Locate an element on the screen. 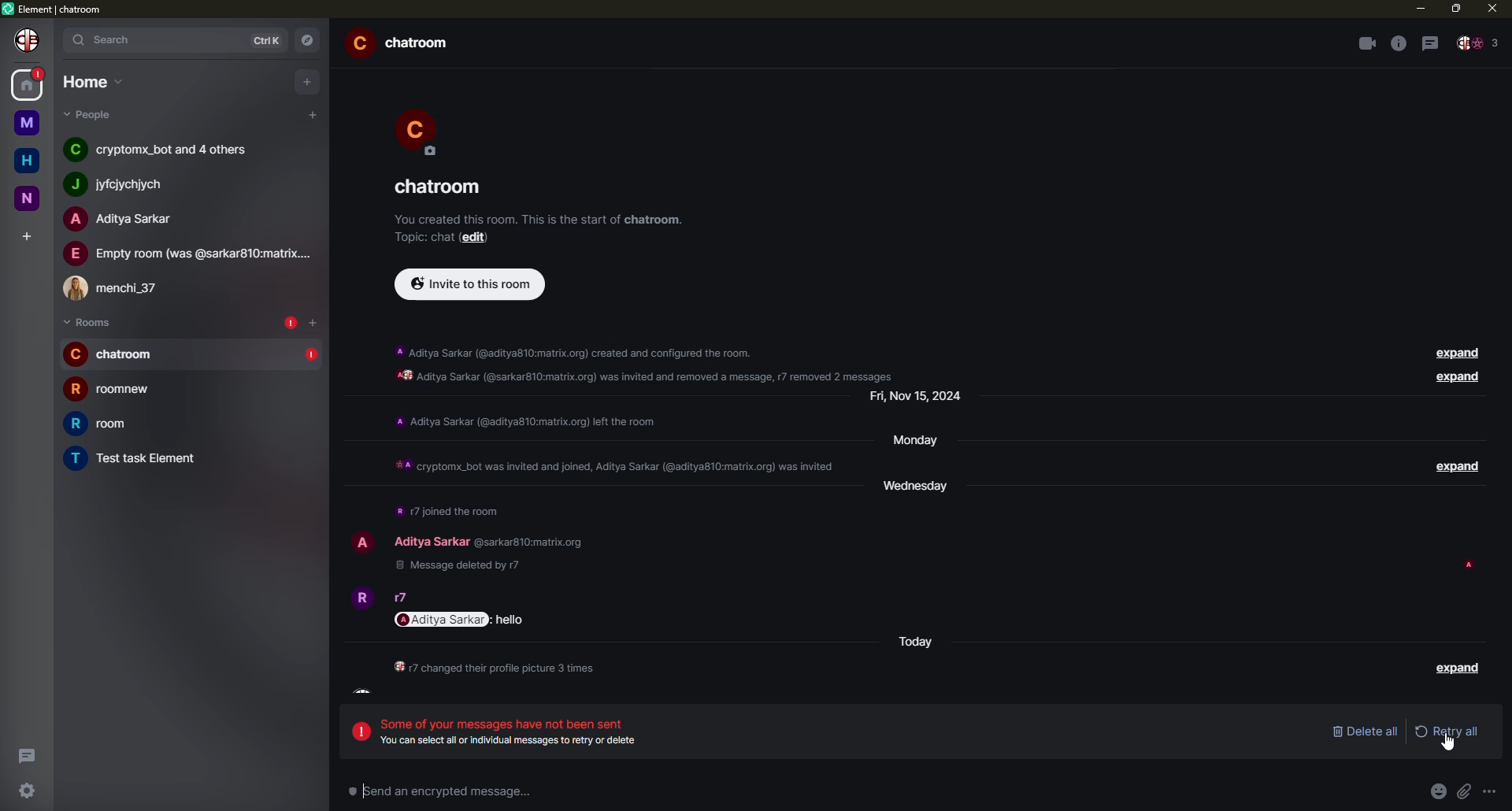 The width and height of the screenshot is (1512, 811). home is located at coordinates (28, 86).